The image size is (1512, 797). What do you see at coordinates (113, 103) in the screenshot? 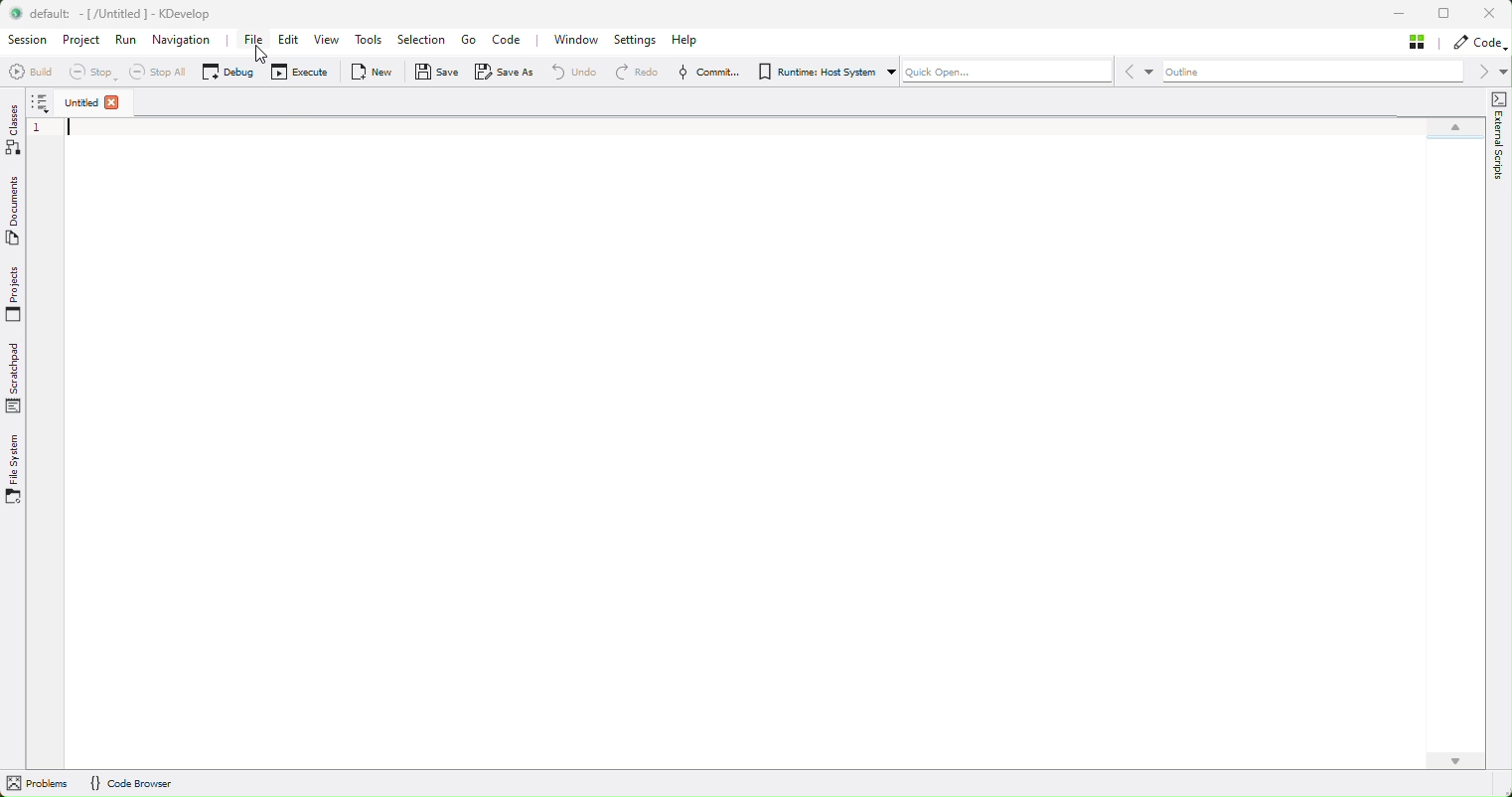
I see `close file` at bounding box center [113, 103].